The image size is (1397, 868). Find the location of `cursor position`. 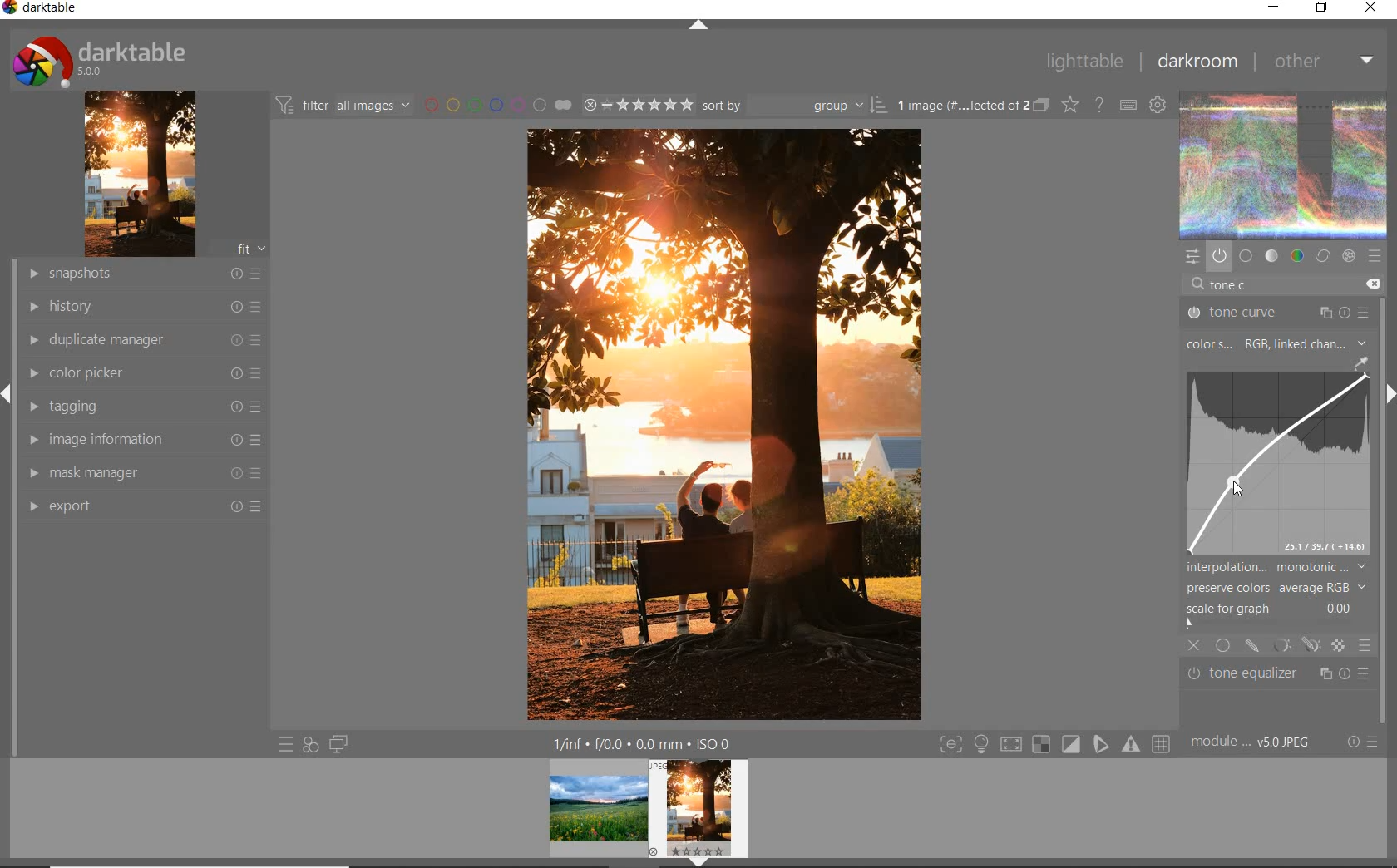

cursor position is located at coordinates (1235, 488).